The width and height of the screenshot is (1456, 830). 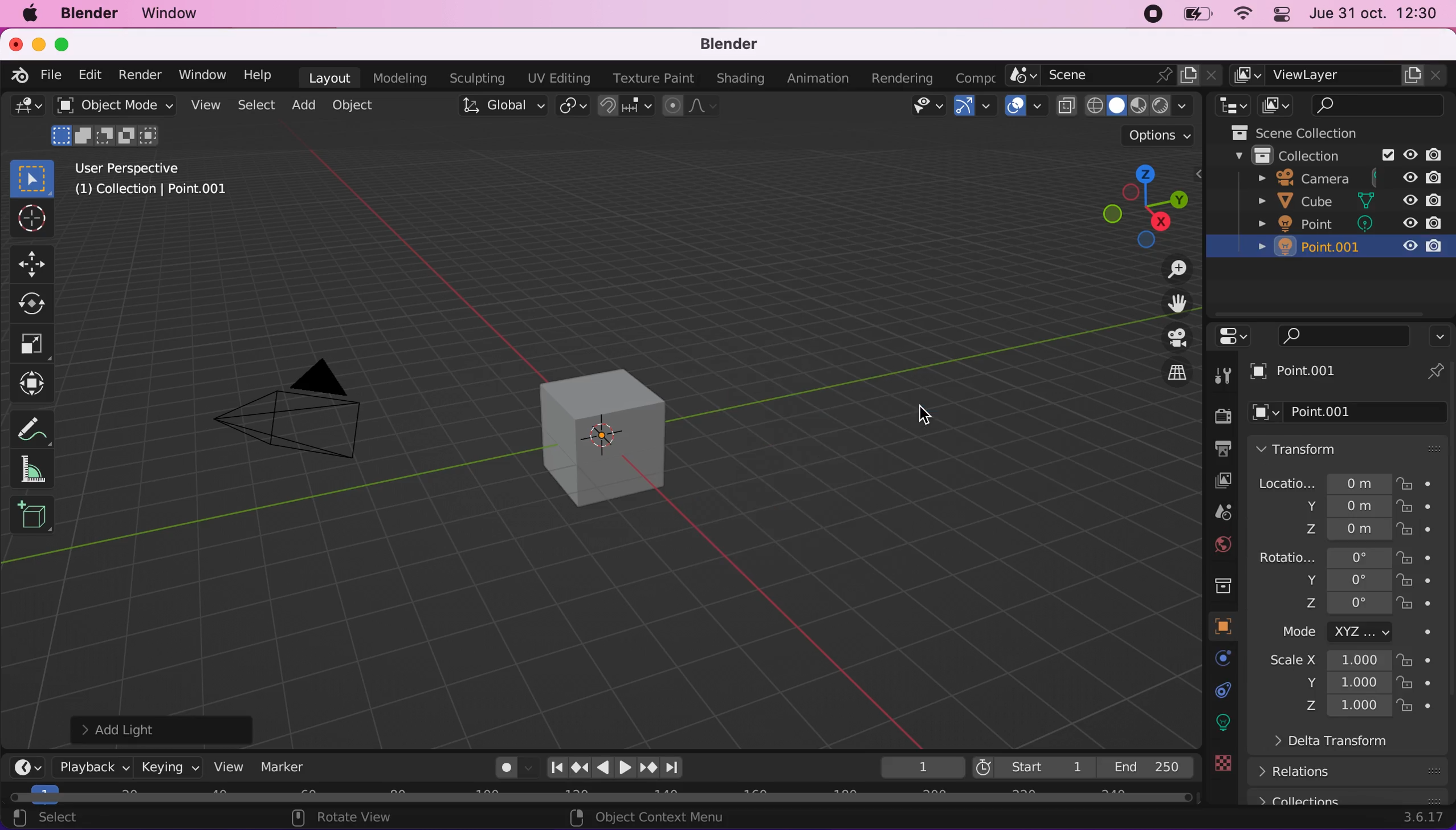 I want to click on blender, so click(x=91, y=15).